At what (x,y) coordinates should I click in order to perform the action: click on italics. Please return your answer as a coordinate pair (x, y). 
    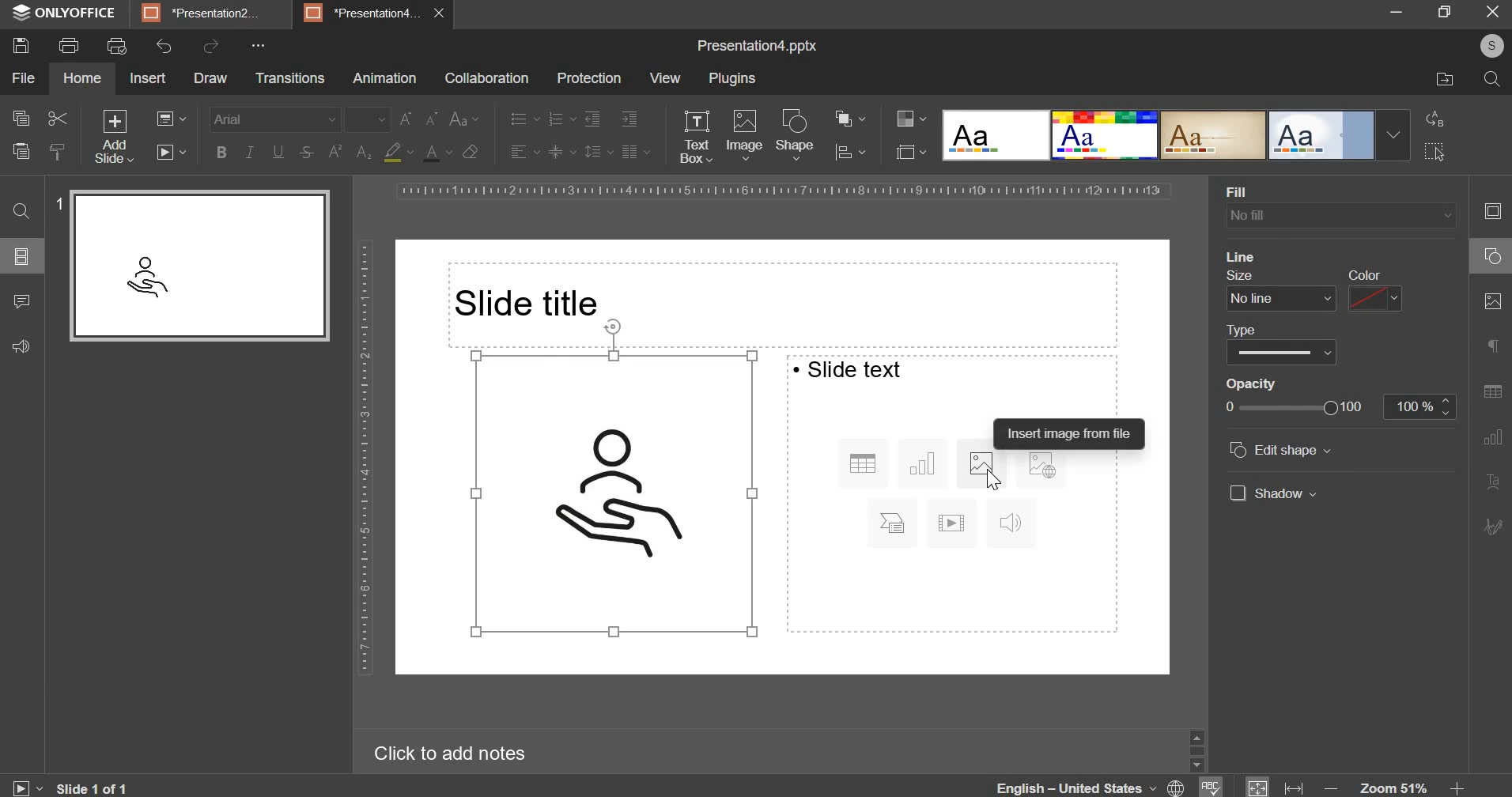
    Looking at the image, I should click on (250, 149).